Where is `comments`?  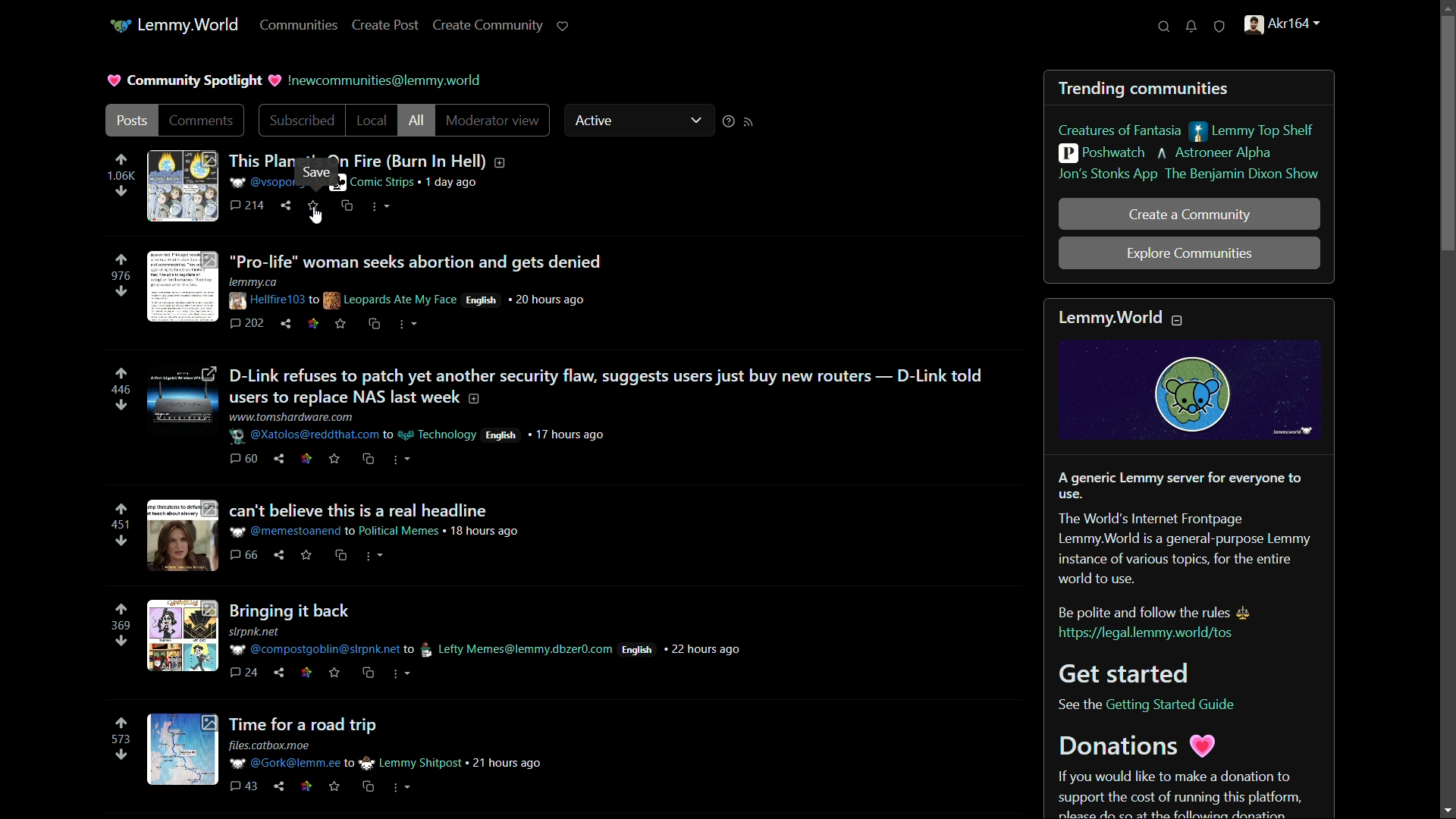 comments is located at coordinates (249, 207).